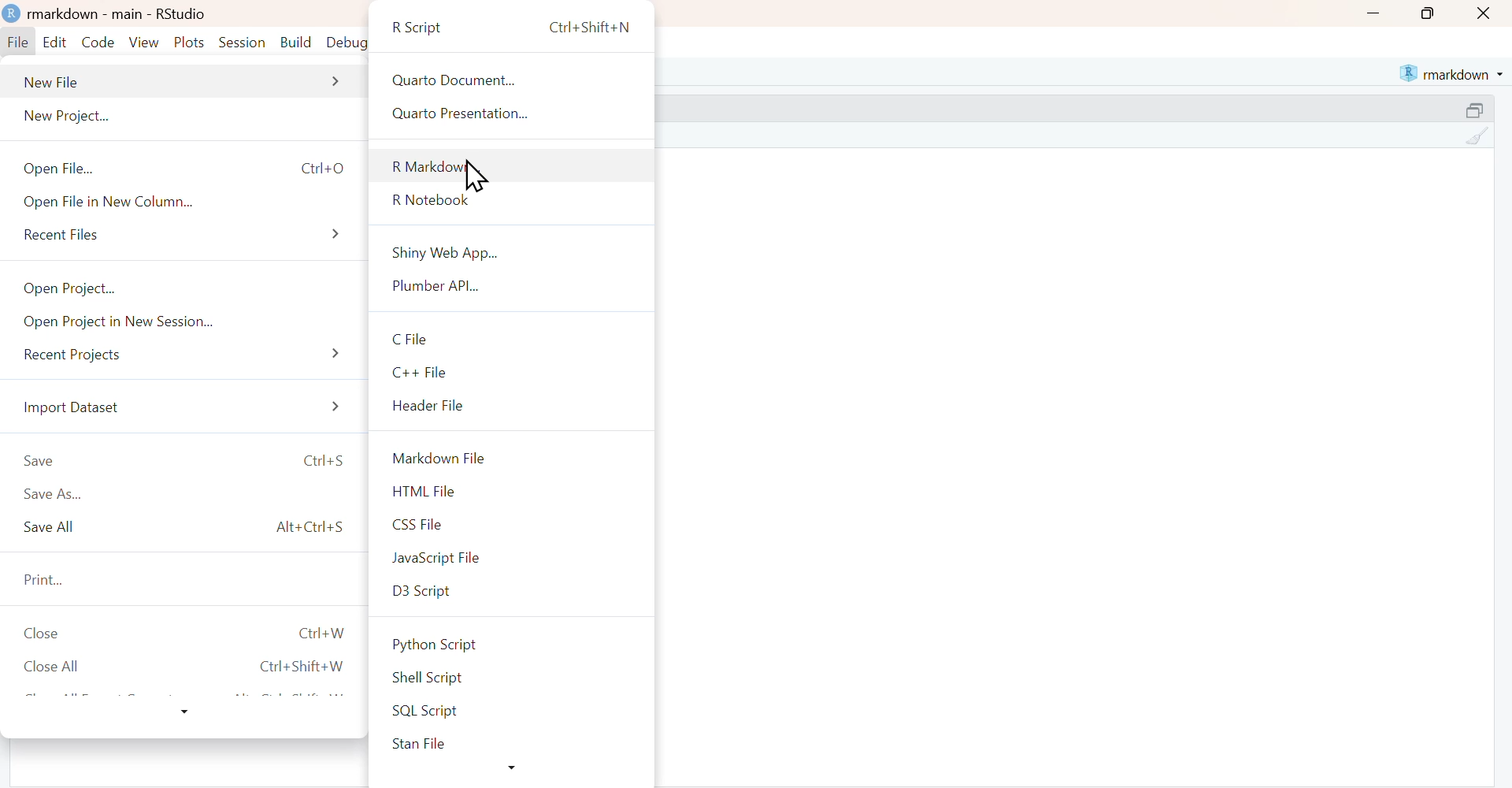 This screenshot has height=788, width=1512. I want to click on Logo, so click(13, 14).